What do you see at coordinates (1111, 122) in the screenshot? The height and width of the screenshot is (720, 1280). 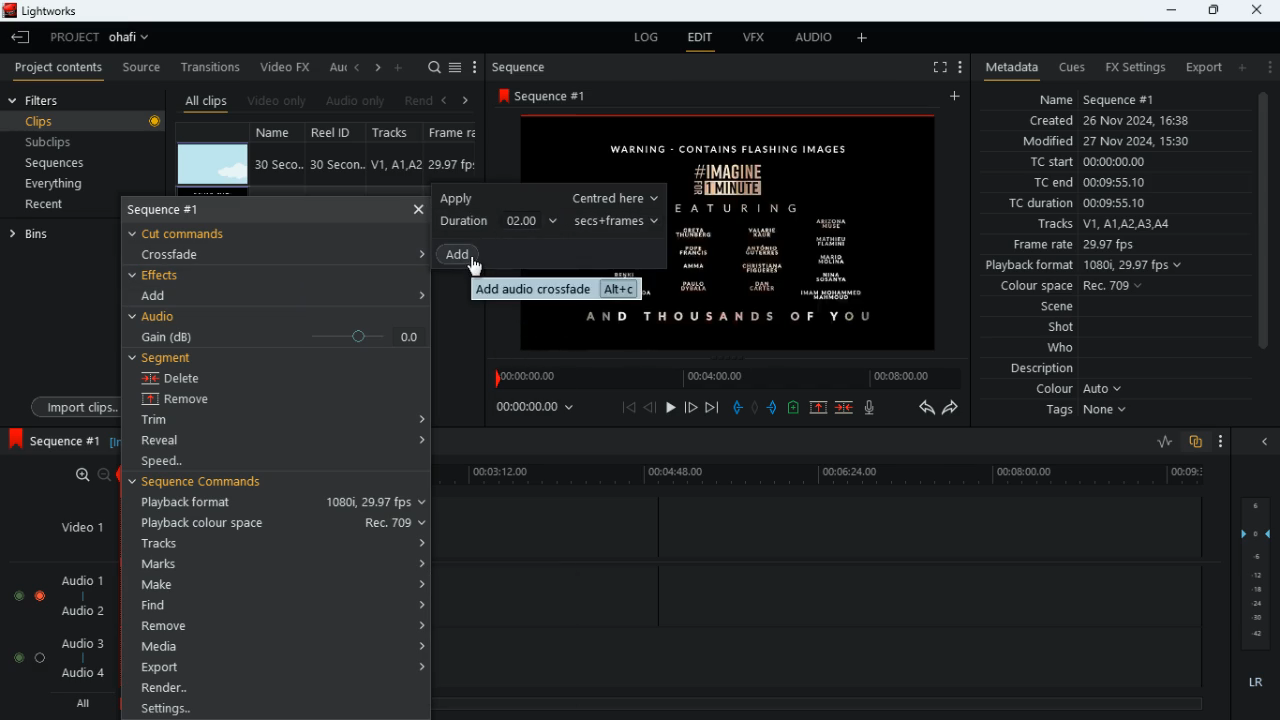 I see `created` at bounding box center [1111, 122].